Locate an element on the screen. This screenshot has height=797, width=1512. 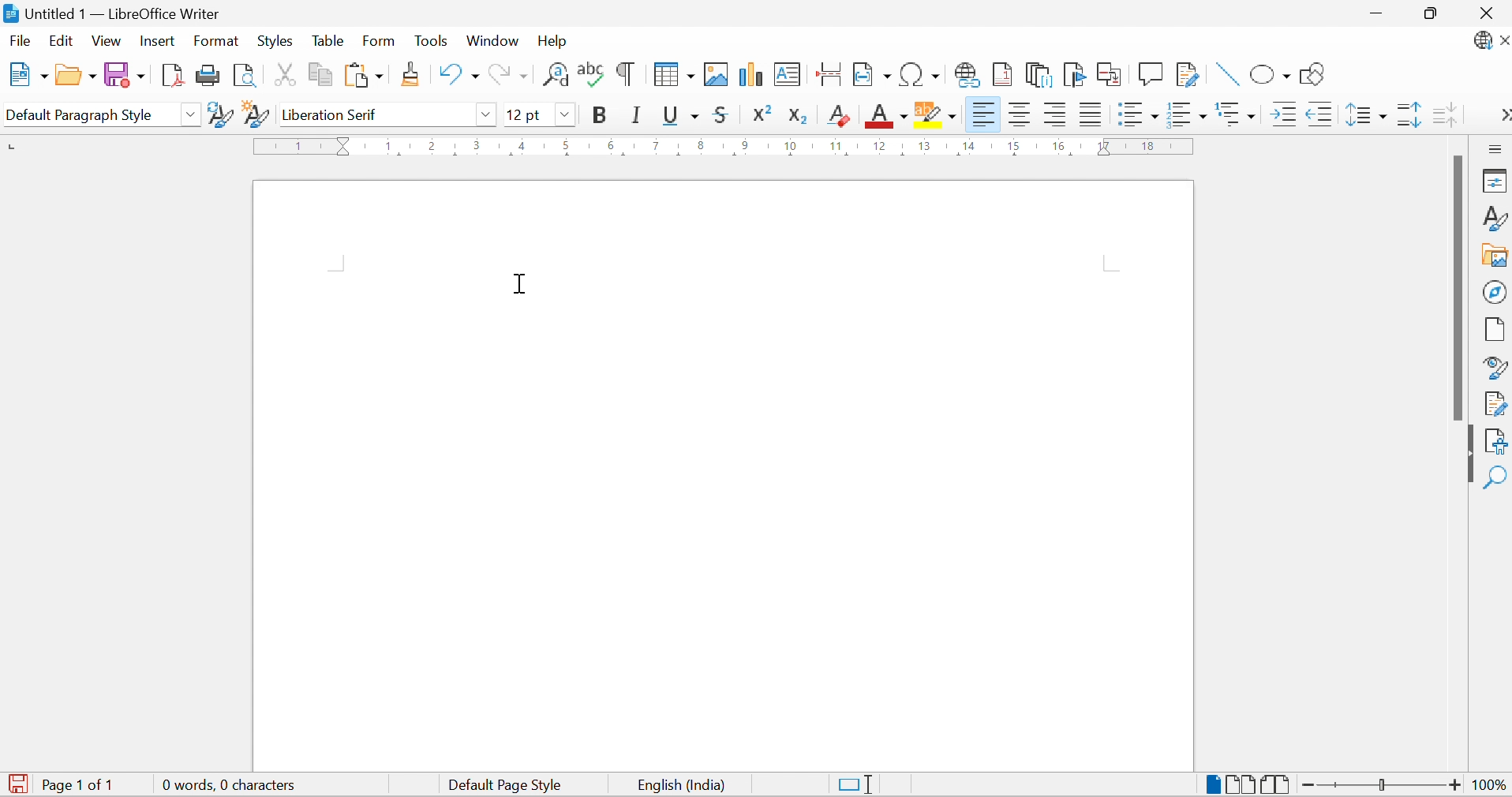
Redo is located at coordinates (507, 73).